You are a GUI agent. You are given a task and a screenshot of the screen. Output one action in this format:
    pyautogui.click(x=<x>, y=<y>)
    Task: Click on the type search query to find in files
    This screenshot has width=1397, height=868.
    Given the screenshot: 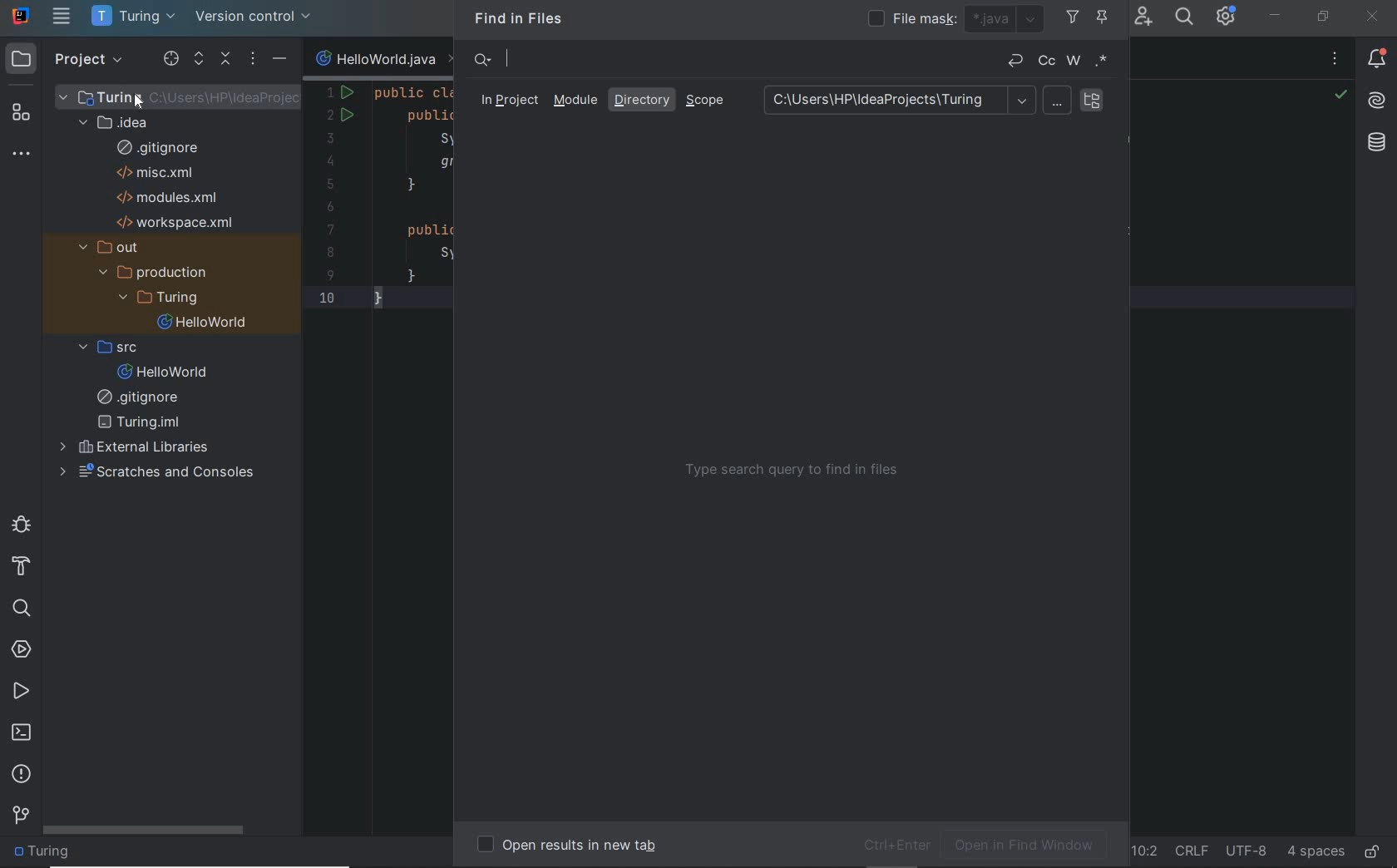 What is the action you would take?
    pyautogui.click(x=796, y=476)
    